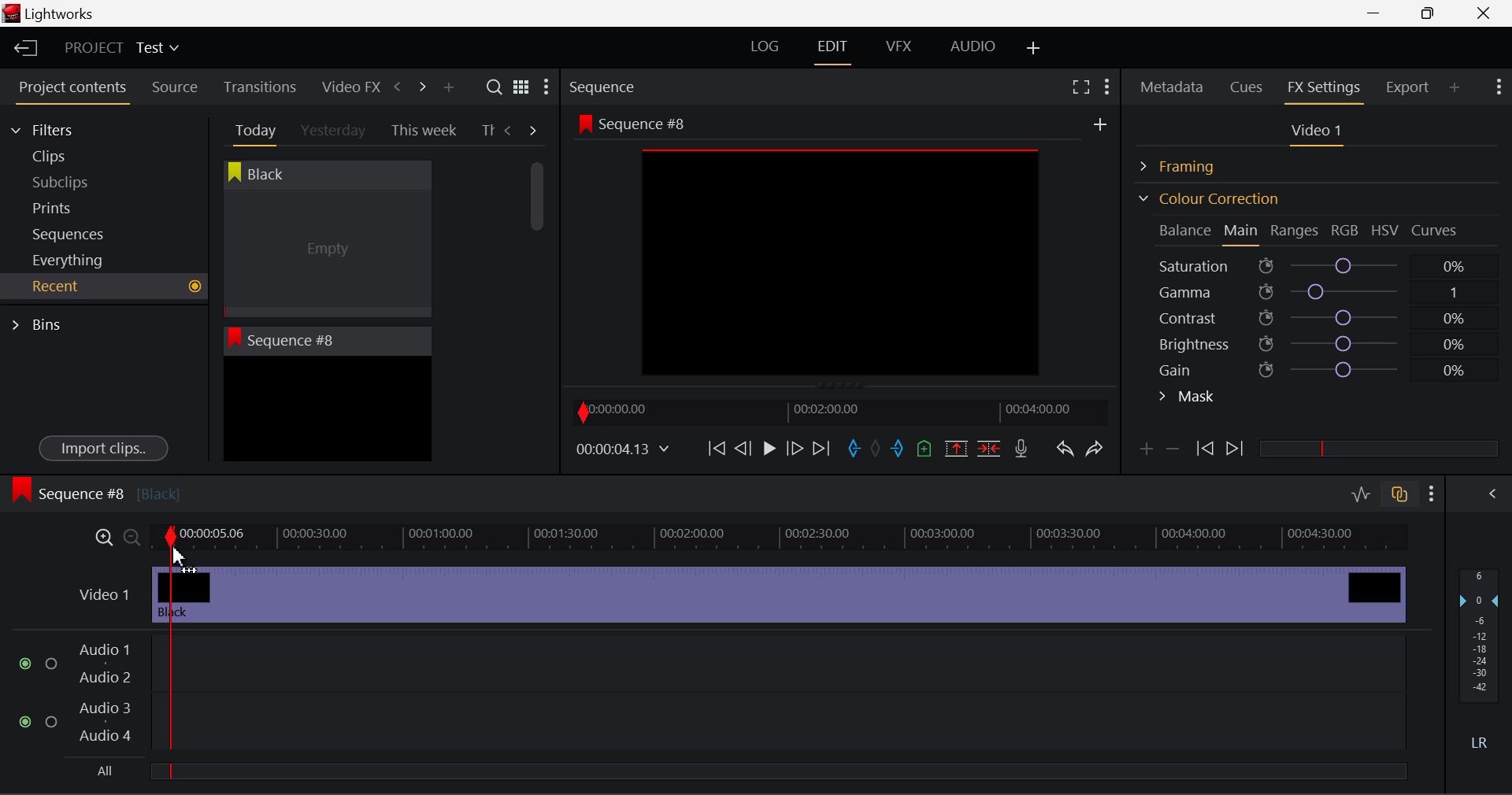  What do you see at coordinates (1436, 230) in the screenshot?
I see `Curves` at bounding box center [1436, 230].